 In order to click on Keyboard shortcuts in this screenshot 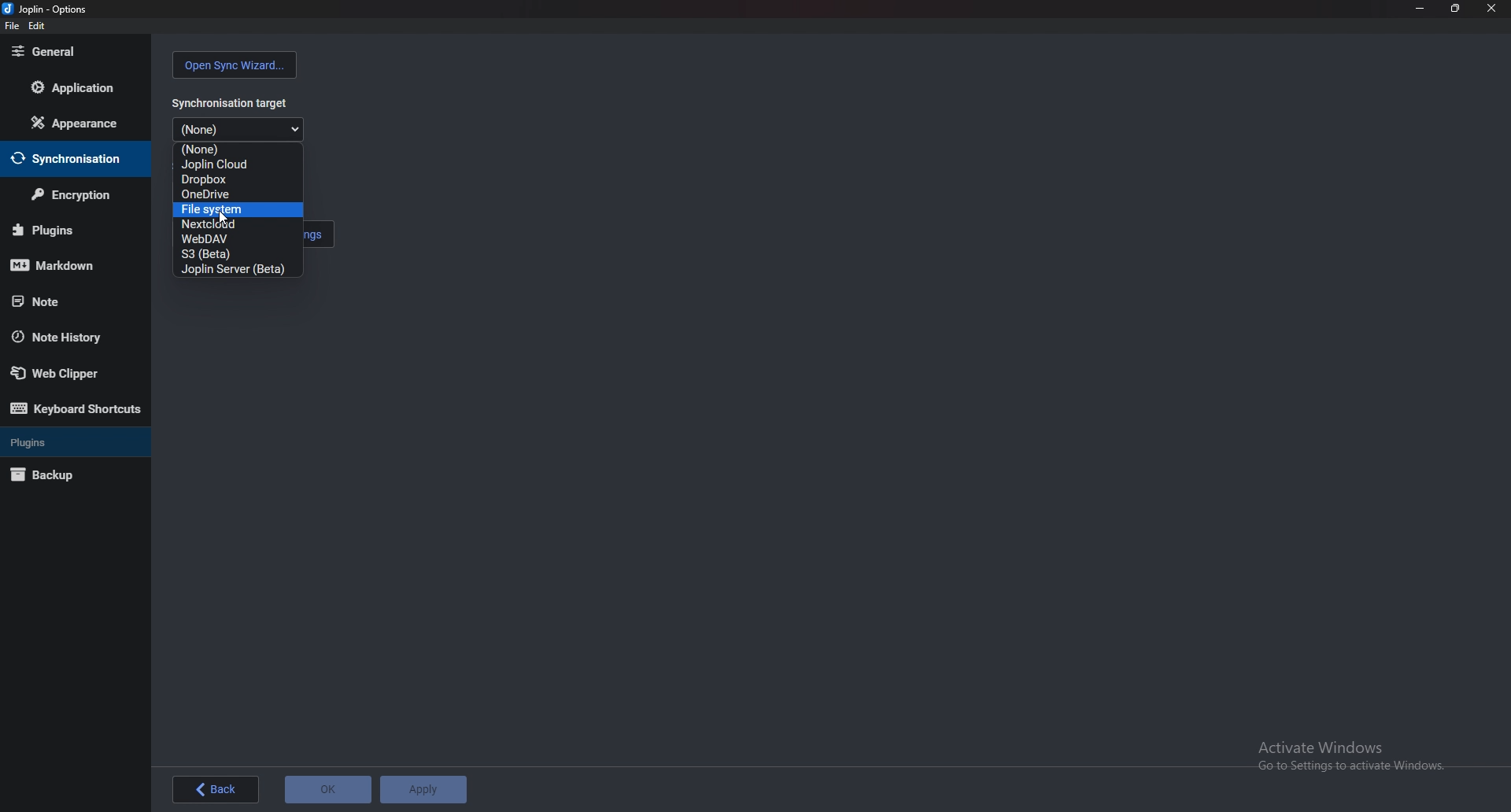, I will do `click(78, 408)`.